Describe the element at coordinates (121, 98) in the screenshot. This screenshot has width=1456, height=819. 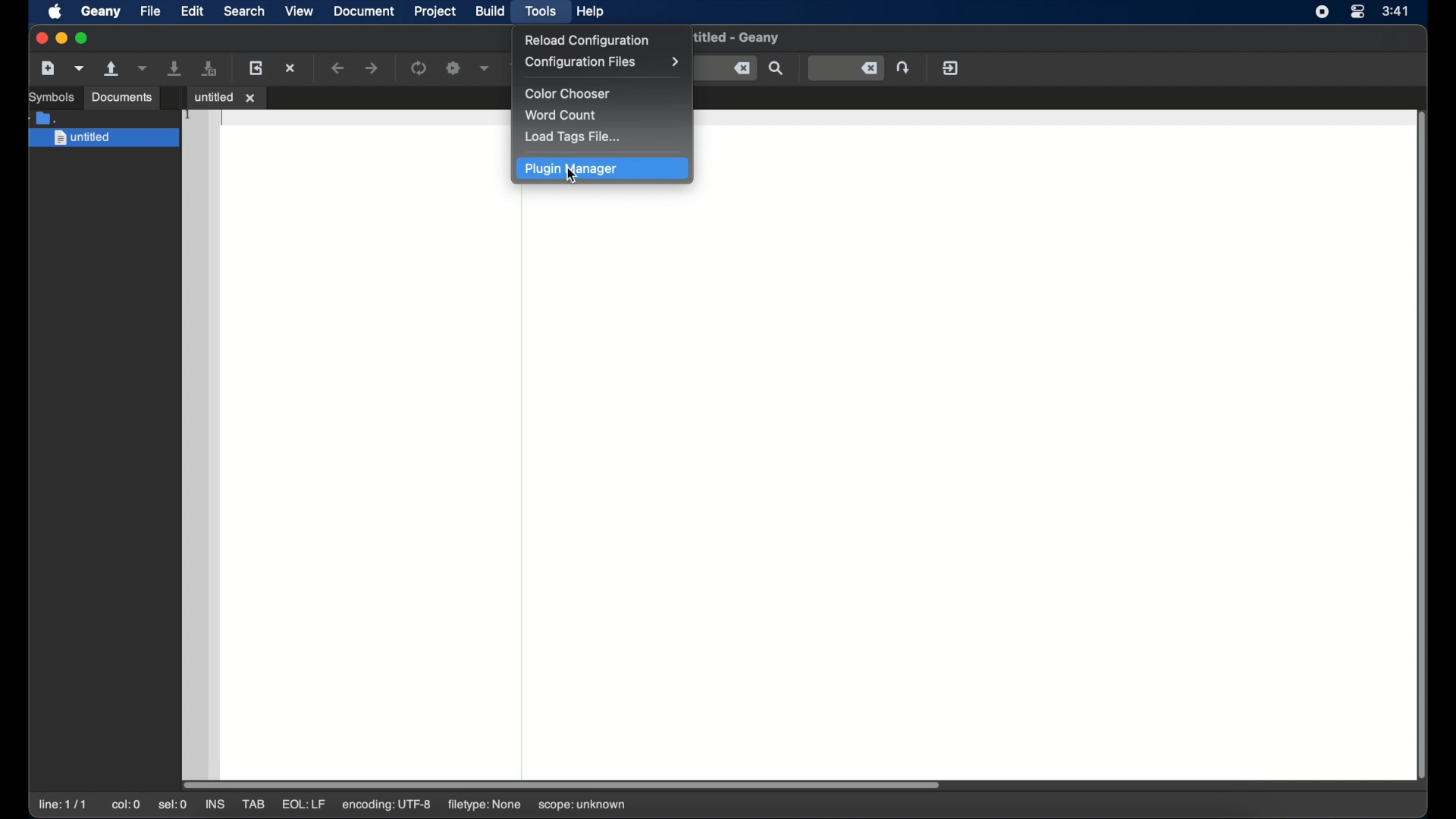
I see `documents` at that location.